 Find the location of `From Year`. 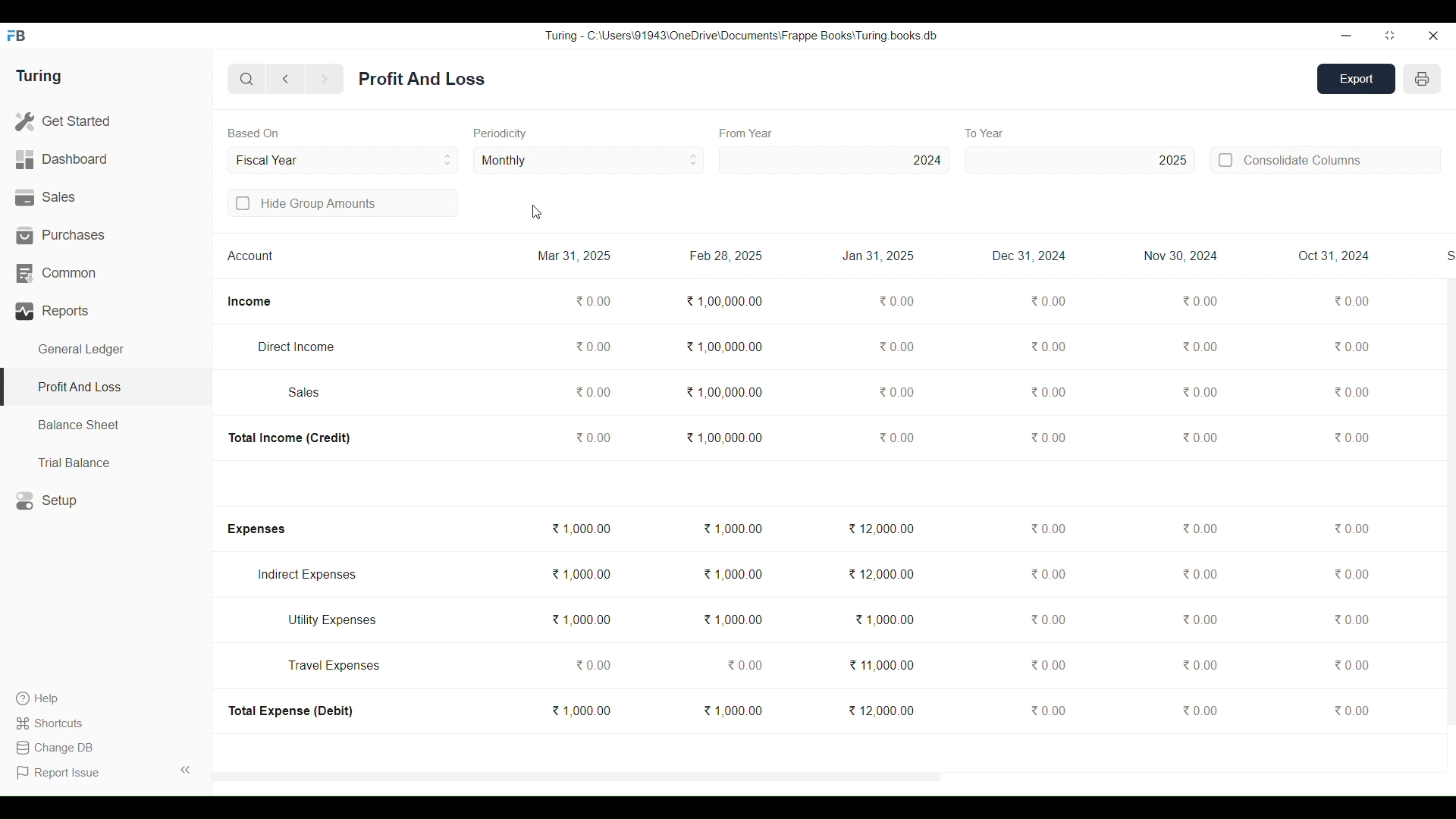

From Year is located at coordinates (747, 133).